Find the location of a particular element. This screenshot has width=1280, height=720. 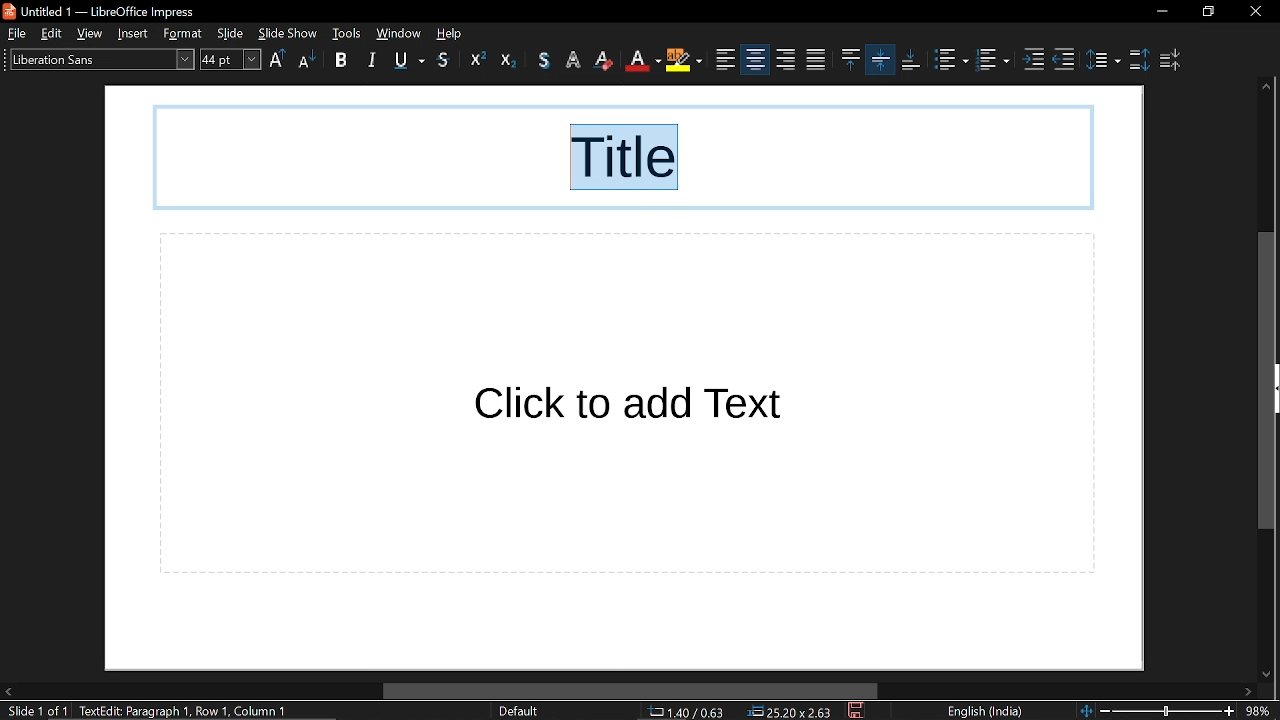

slide style is located at coordinates (518, 711).